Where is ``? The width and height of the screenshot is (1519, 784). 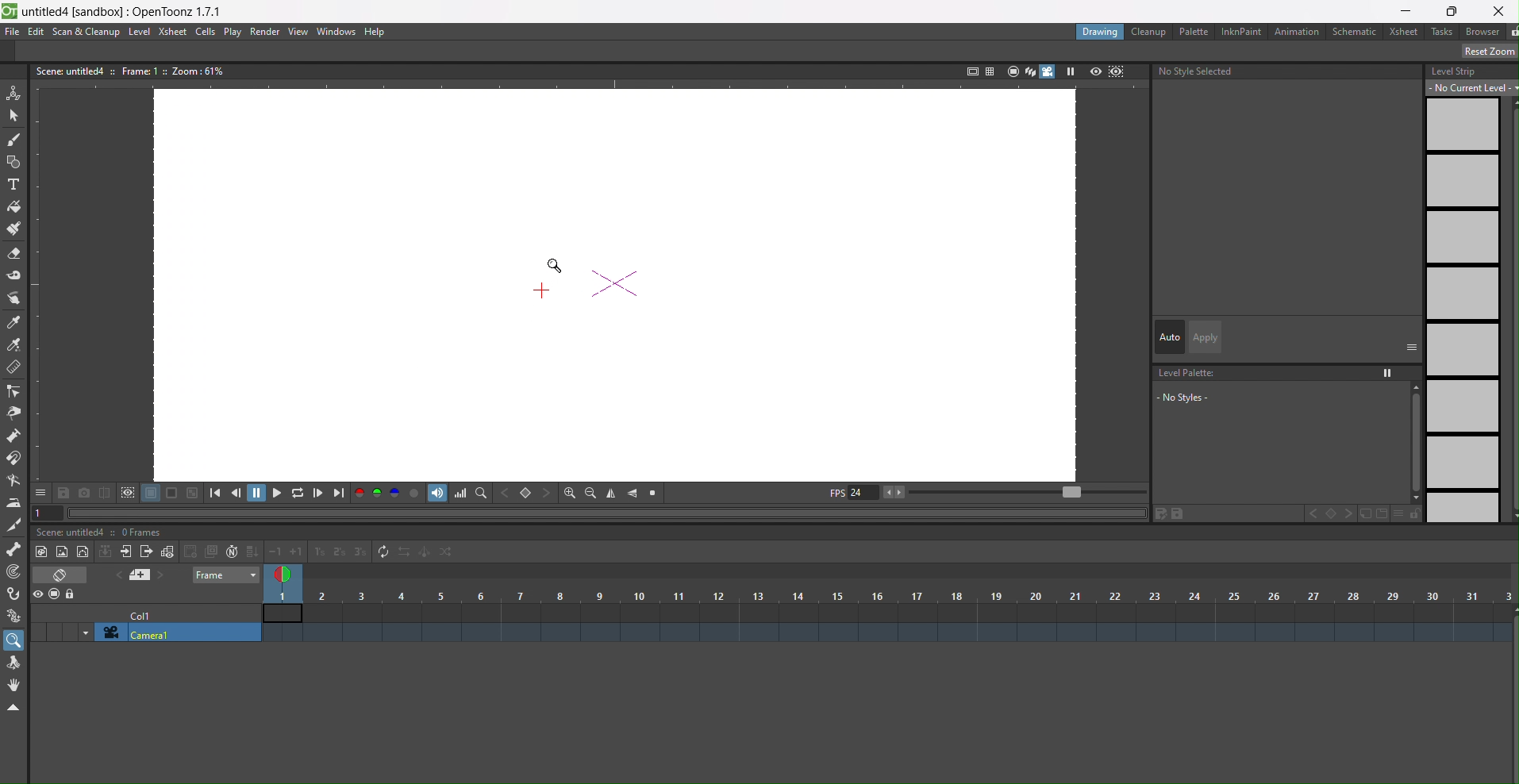
 is located at coordinates (460, 493).